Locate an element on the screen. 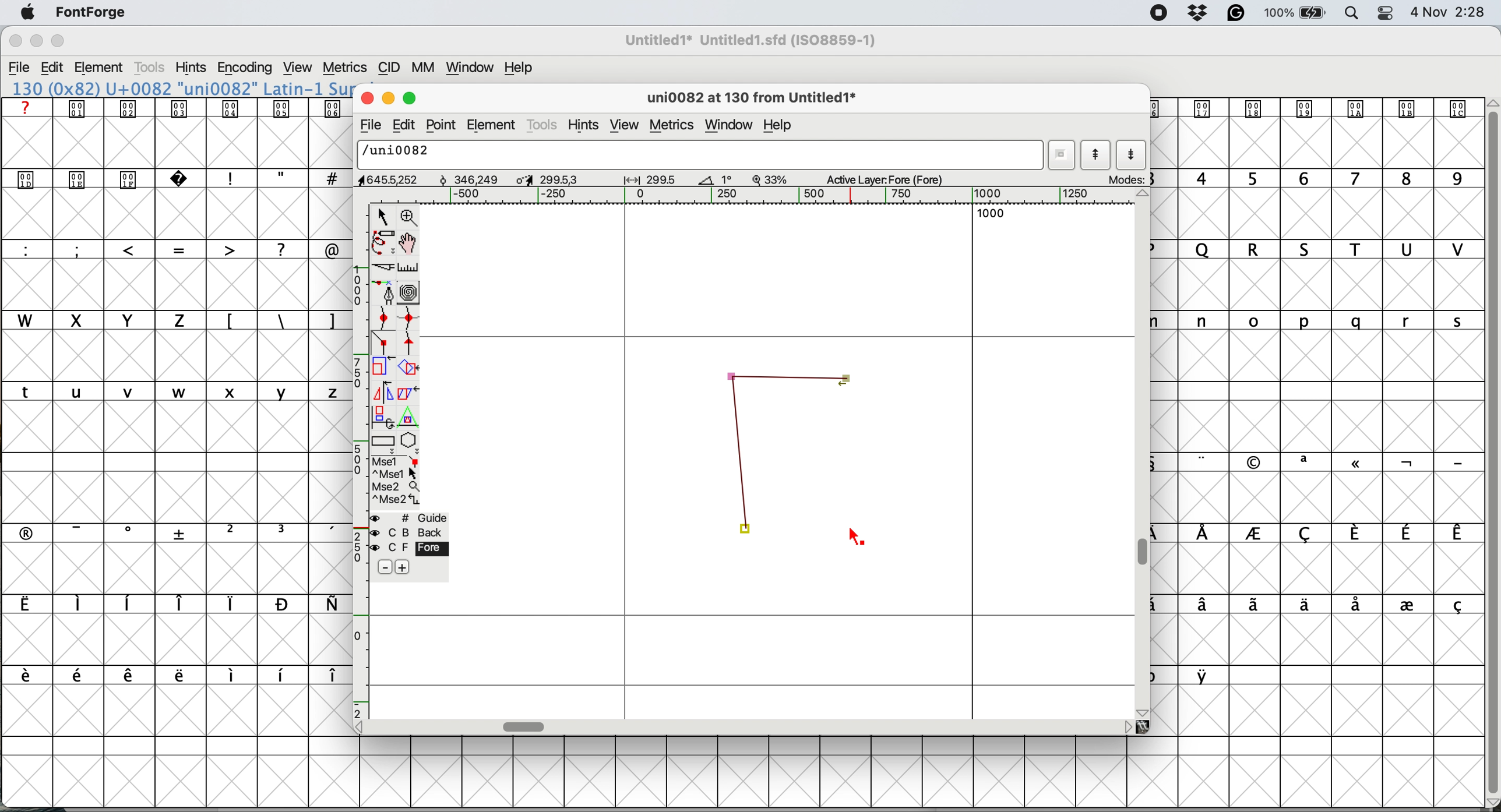 Image resolution: width=1501 pixels, height=812 pixels. close is located at coordinates (15, 41).